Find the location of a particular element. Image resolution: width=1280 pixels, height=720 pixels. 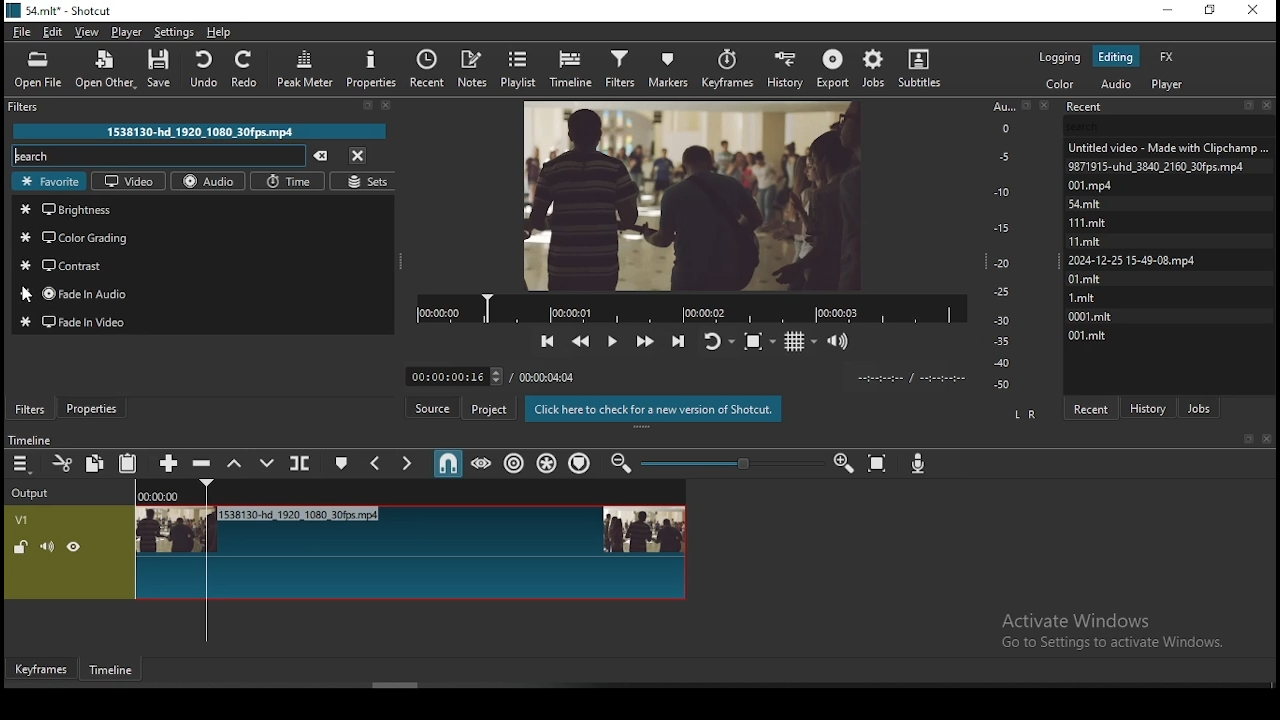

color is located at coordinates (1059, 83).